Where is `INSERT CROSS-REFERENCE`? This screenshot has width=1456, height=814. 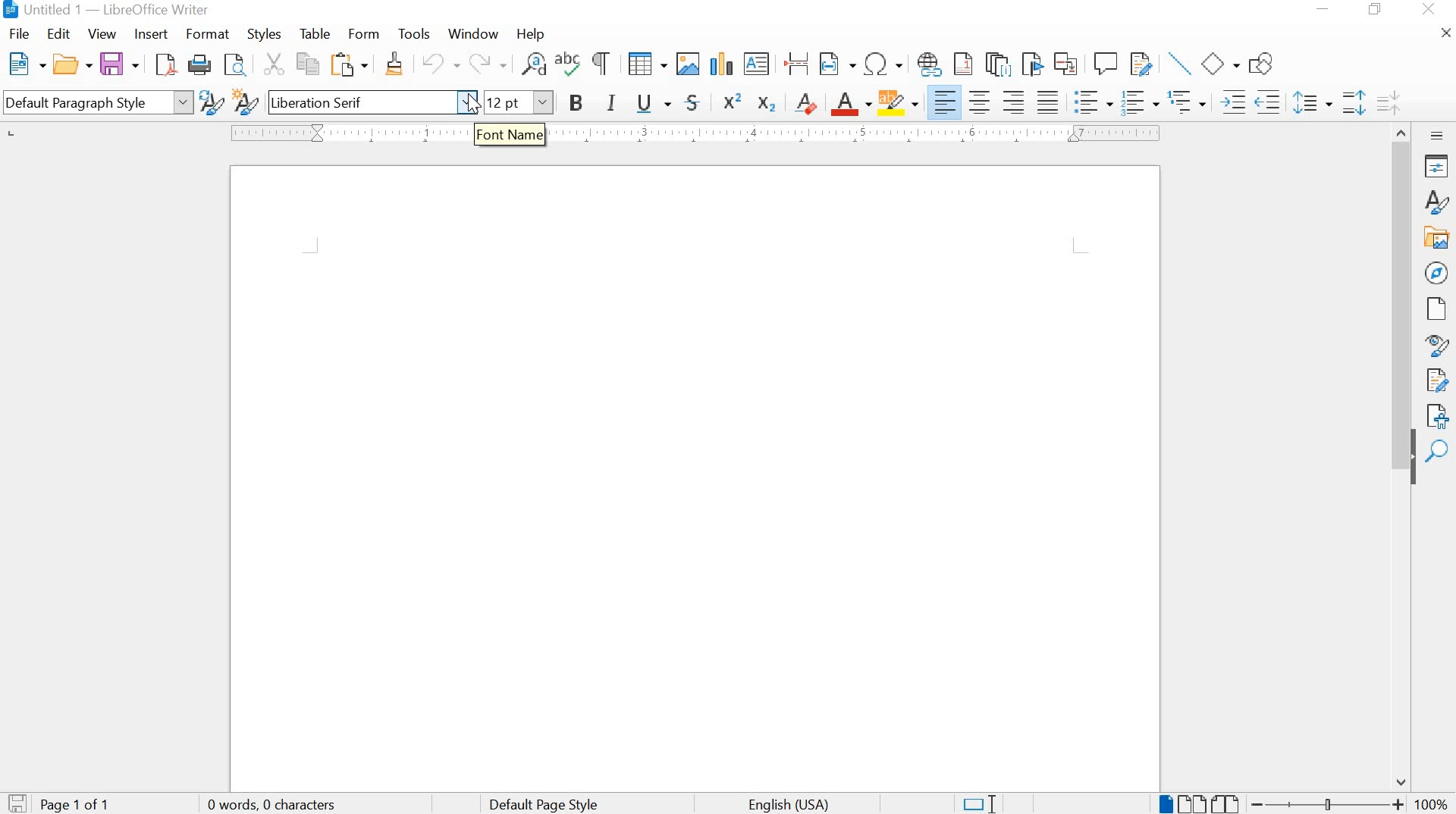
INSERT CROSS-REFERENCE is located at coordinates (1069, 63).